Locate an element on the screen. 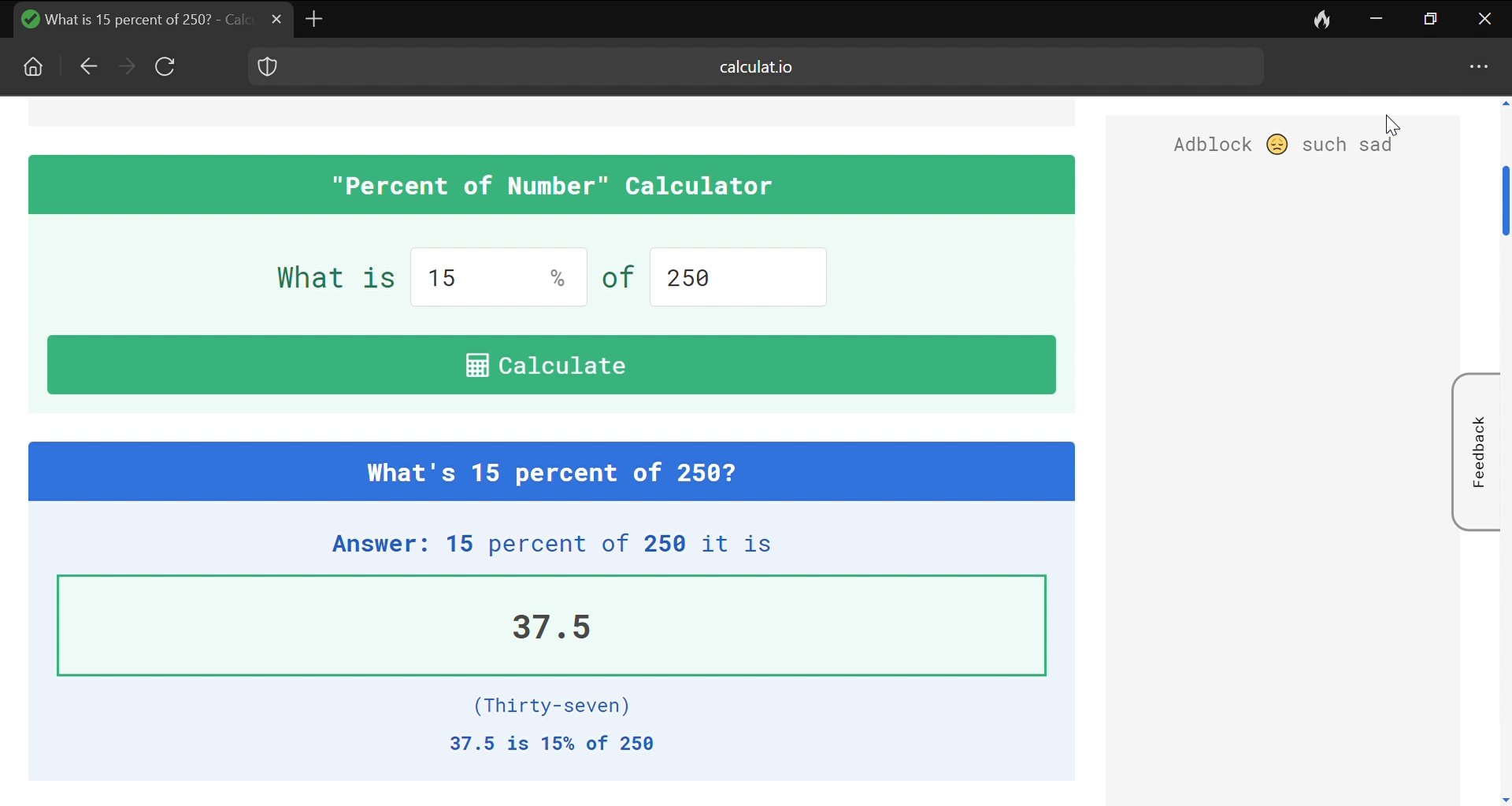 This screenshot has height=806, width=1512. 37.5 is 15% of 250 is located at coordinates (528, 746).